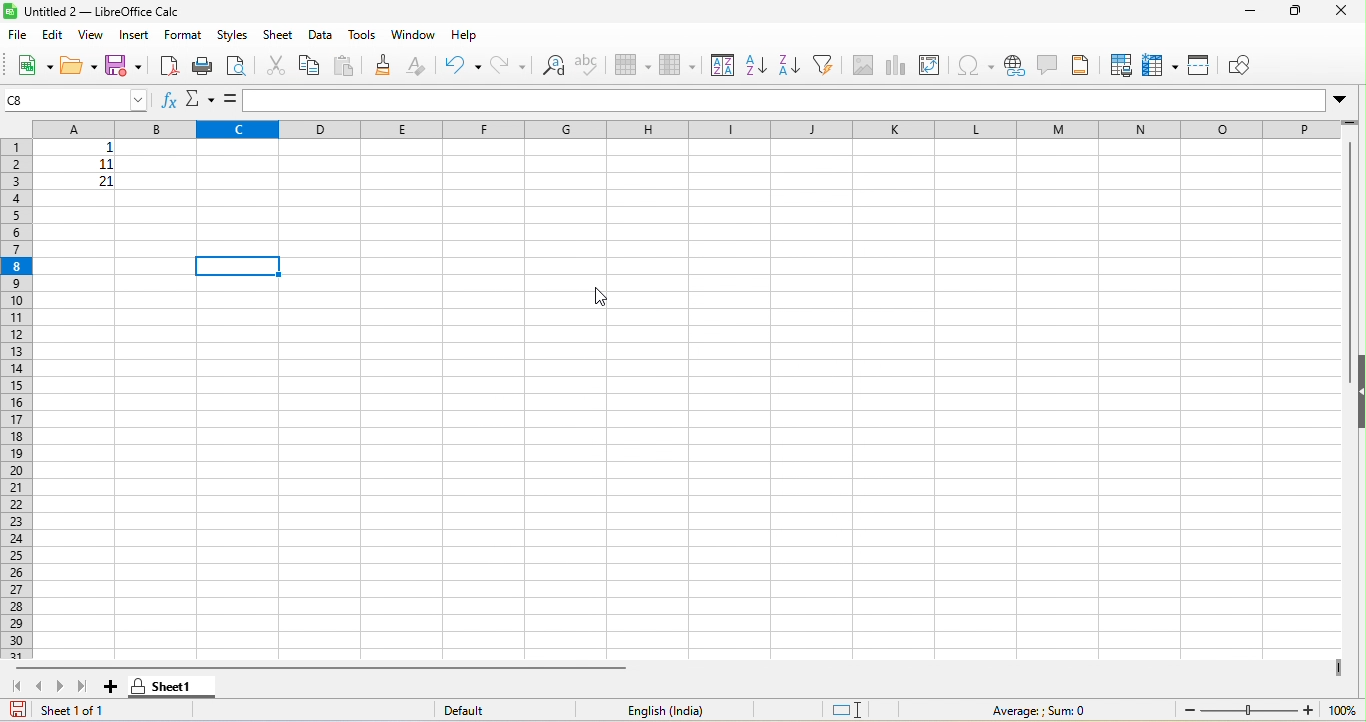 This screenshot has width=1366, height=722. What do you see at coordinates (799, 64) in the screenshot?
I see `sort descending` at bounding box center [799, 64].